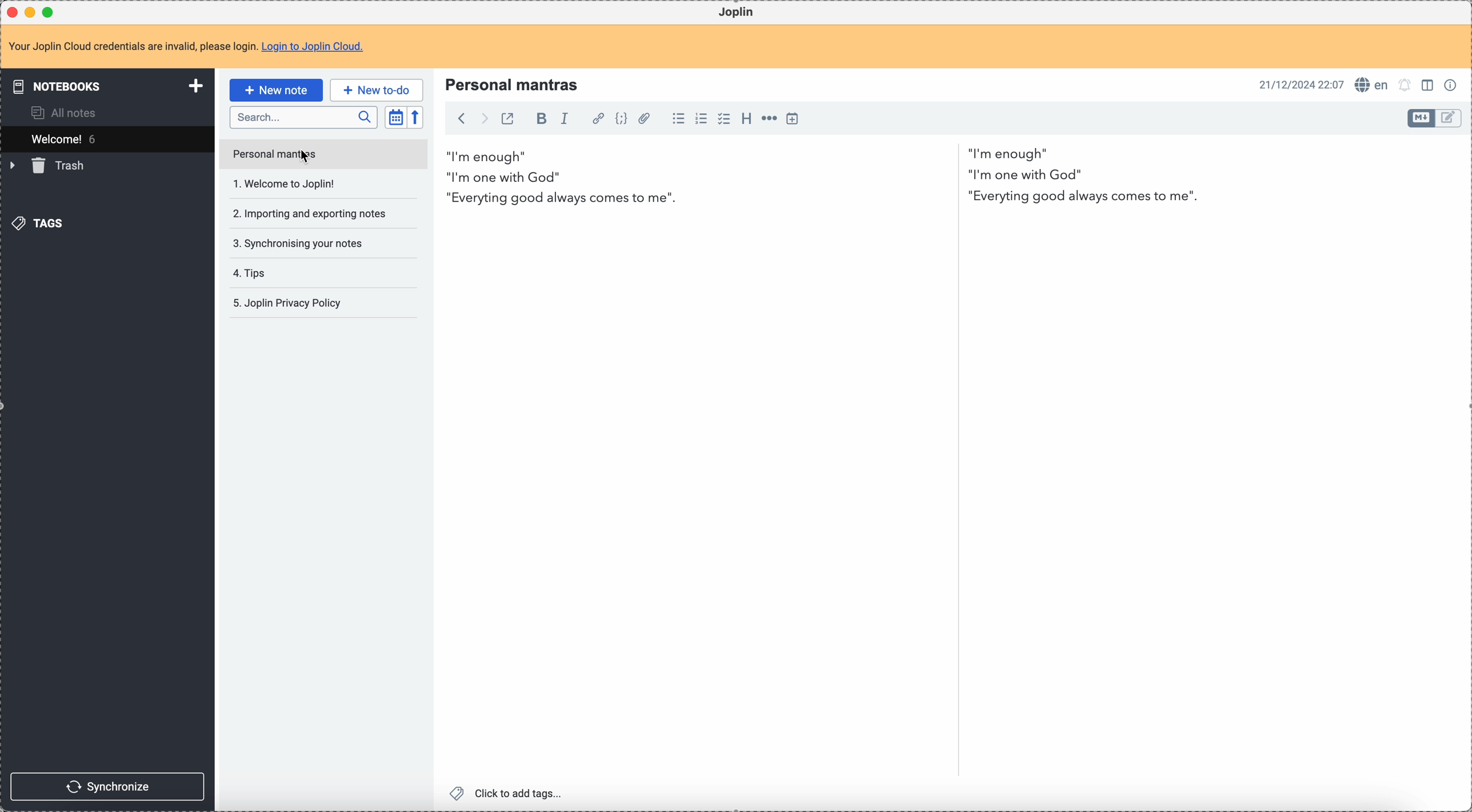 Image resolution: width=1472 pixels, height=812 pixels. What do you see at coordinates (303, 243) in the screenshot?
I see `synchronising your notes` at bounding box center [303, 243].